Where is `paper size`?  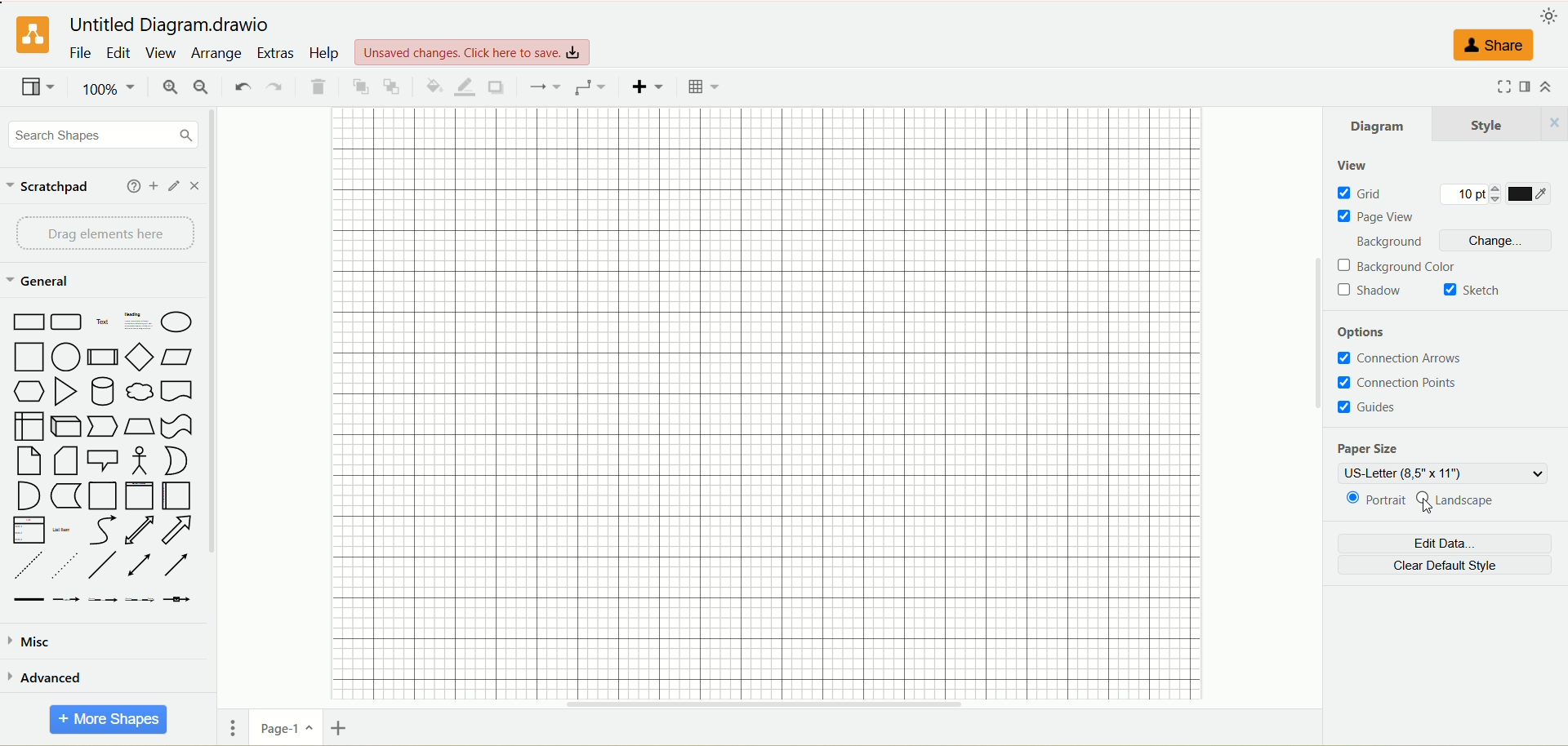
paper size is located at coordinates (1369, 447).